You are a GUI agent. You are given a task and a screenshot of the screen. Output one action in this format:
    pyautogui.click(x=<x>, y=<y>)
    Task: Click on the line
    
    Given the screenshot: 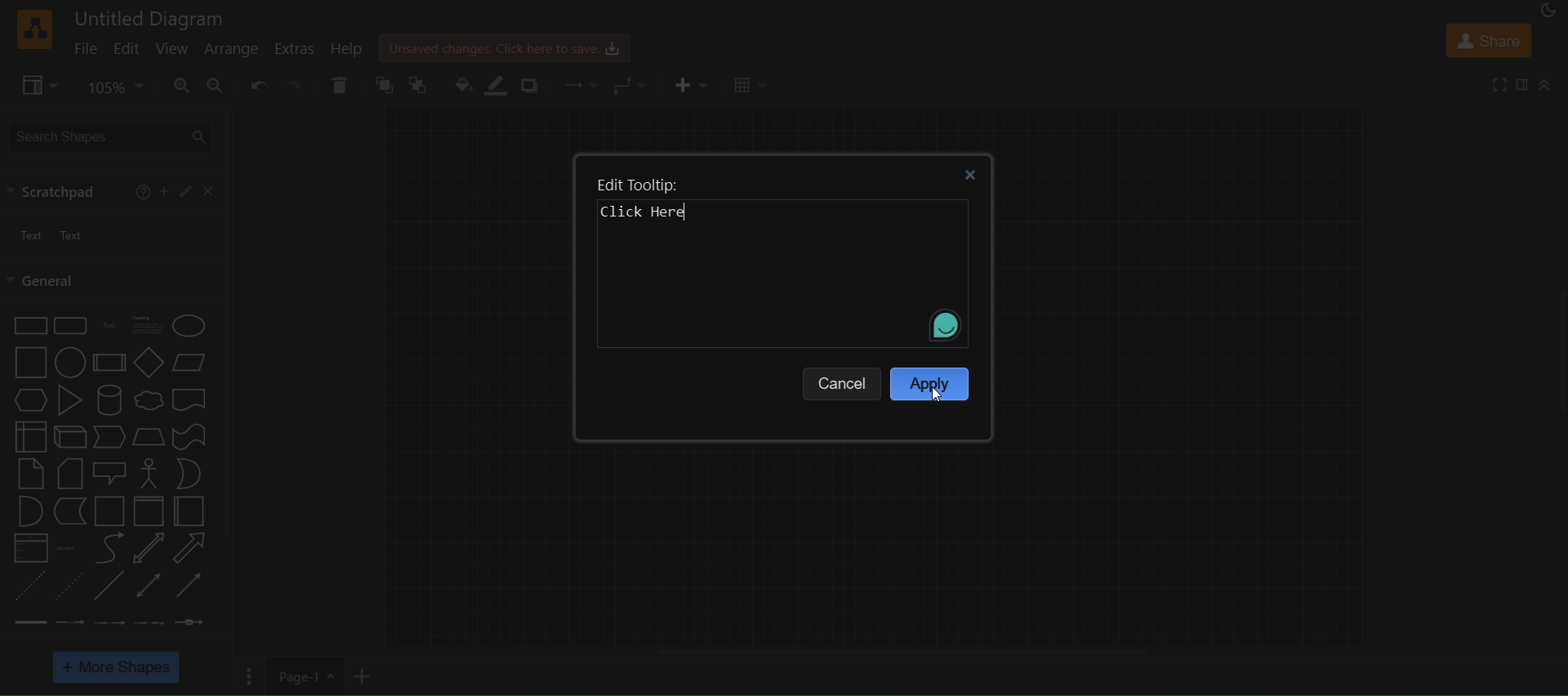 What is the action you would take?
    pyautogui.click(x=111, y=587)
    